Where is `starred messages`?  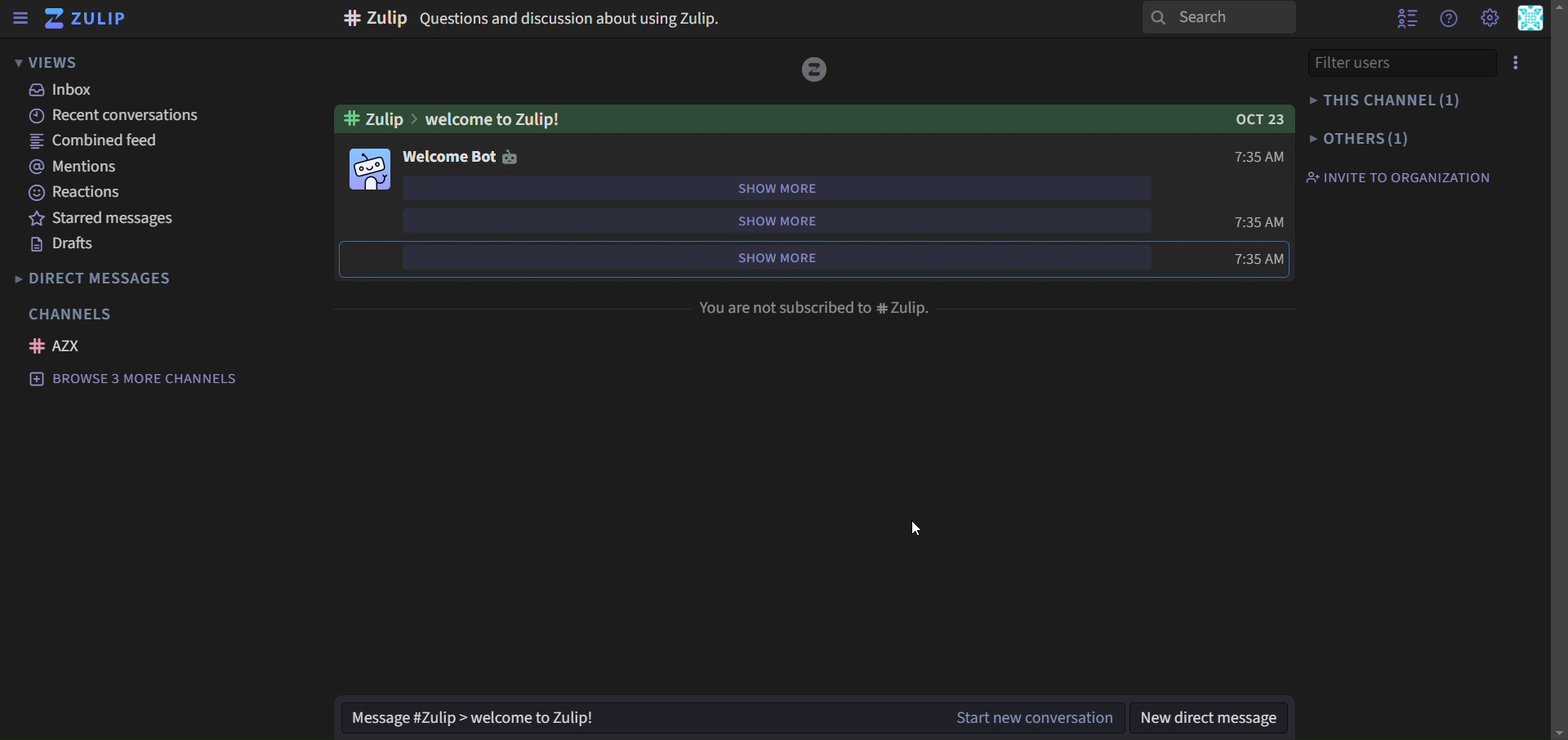
starred messages is located at coordinates (141, 221).